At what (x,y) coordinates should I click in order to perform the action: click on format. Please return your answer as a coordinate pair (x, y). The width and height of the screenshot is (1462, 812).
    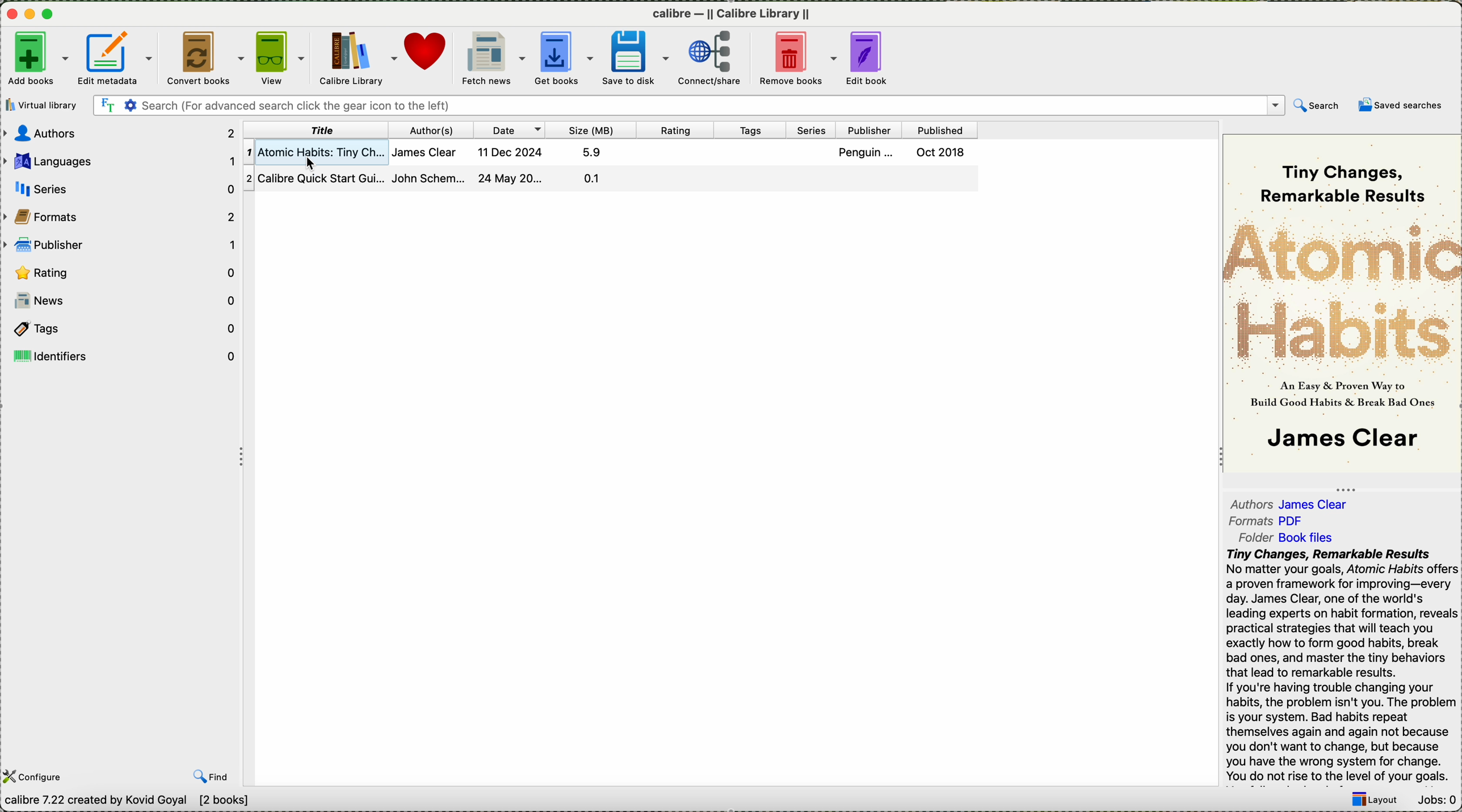
    Looking at the image, I should click on (1269, 522).